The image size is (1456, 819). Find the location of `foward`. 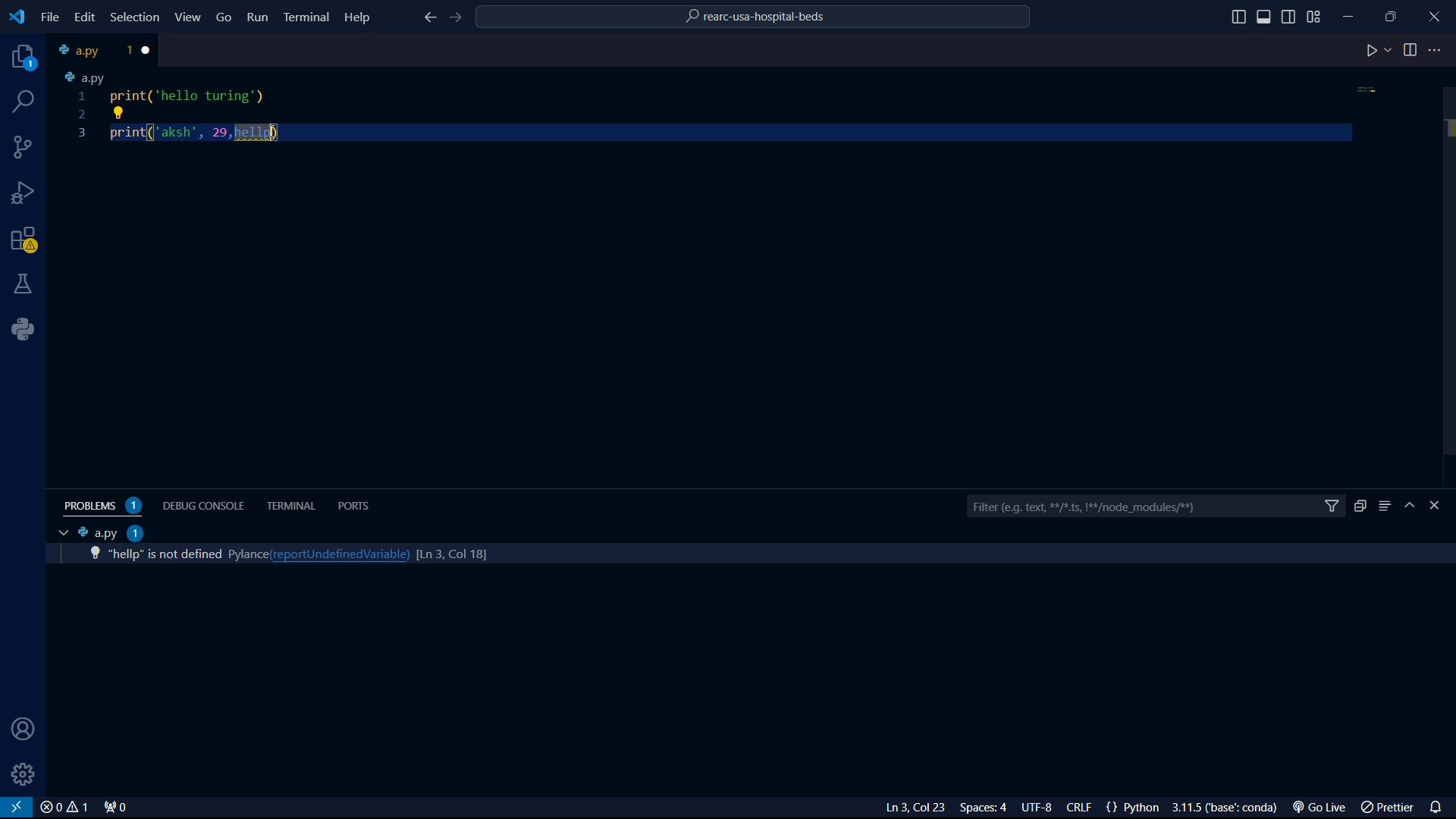

foward is located at coordinates (459, 18).